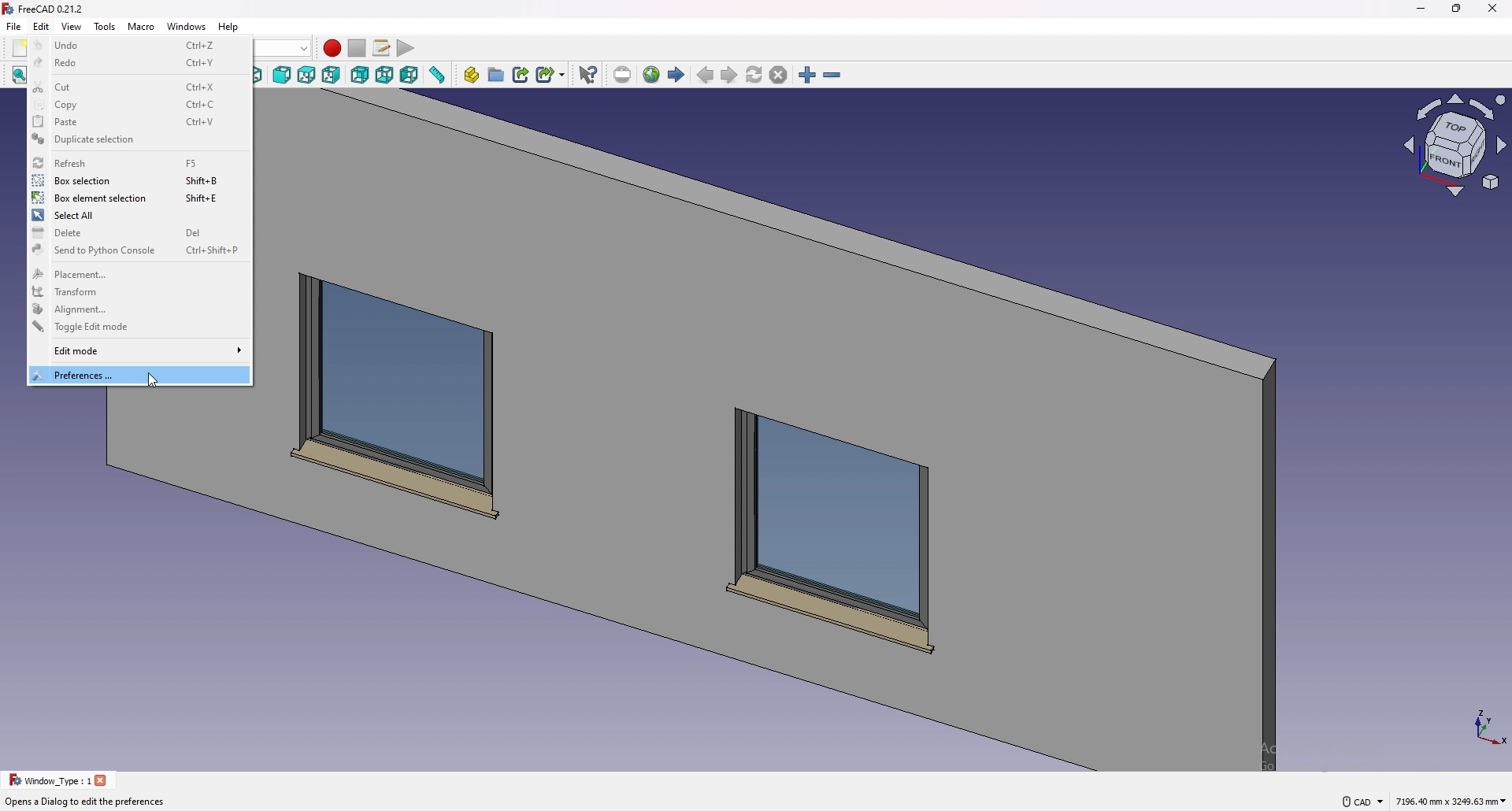 The width and height of the screenshot is (1512, 811). What do you see at coordinates (360, 76) in the screenshot?
I see `rear` at bounding box center [360, 76].